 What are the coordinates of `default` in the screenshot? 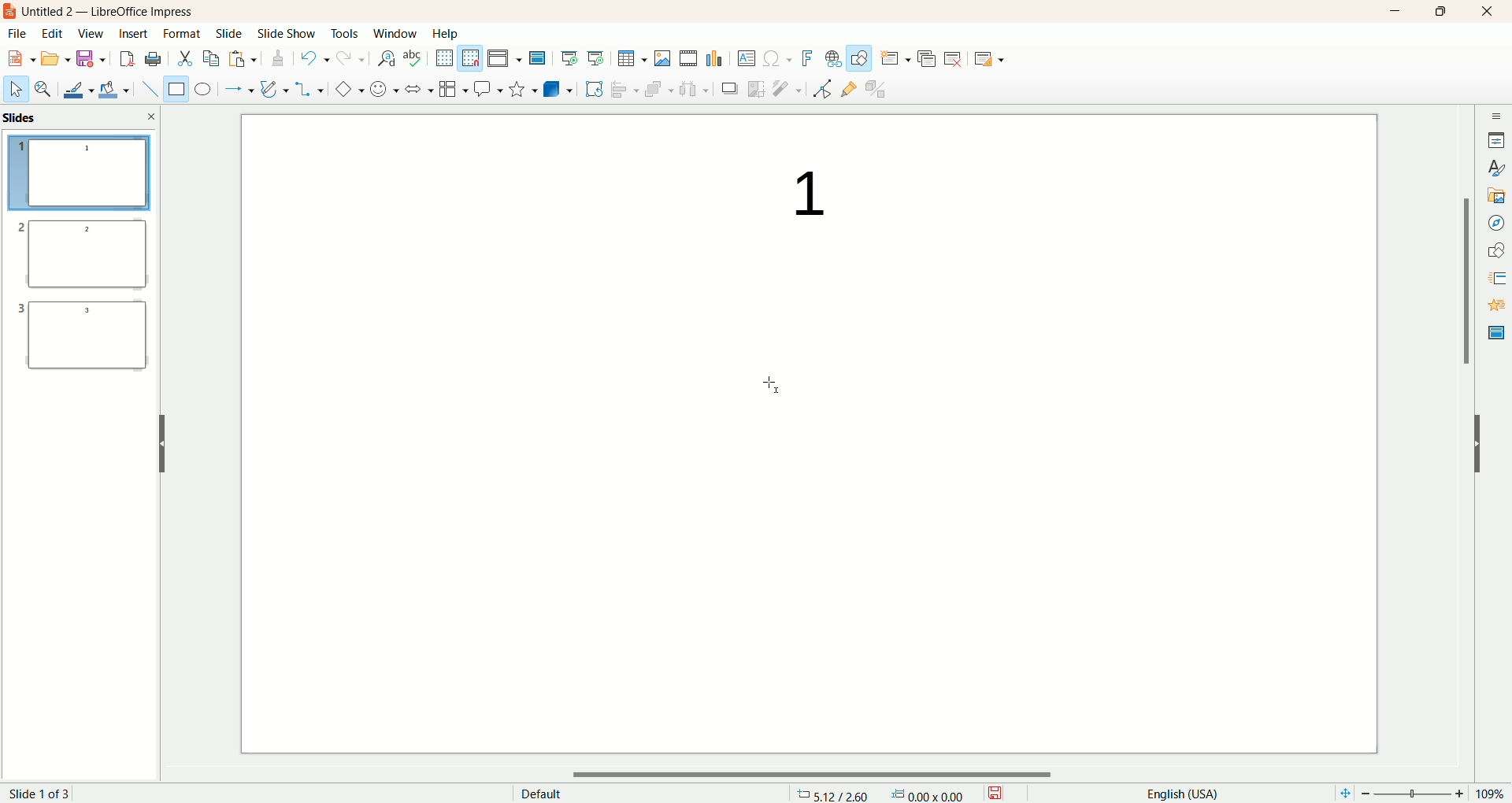 It's located at (539, 792).